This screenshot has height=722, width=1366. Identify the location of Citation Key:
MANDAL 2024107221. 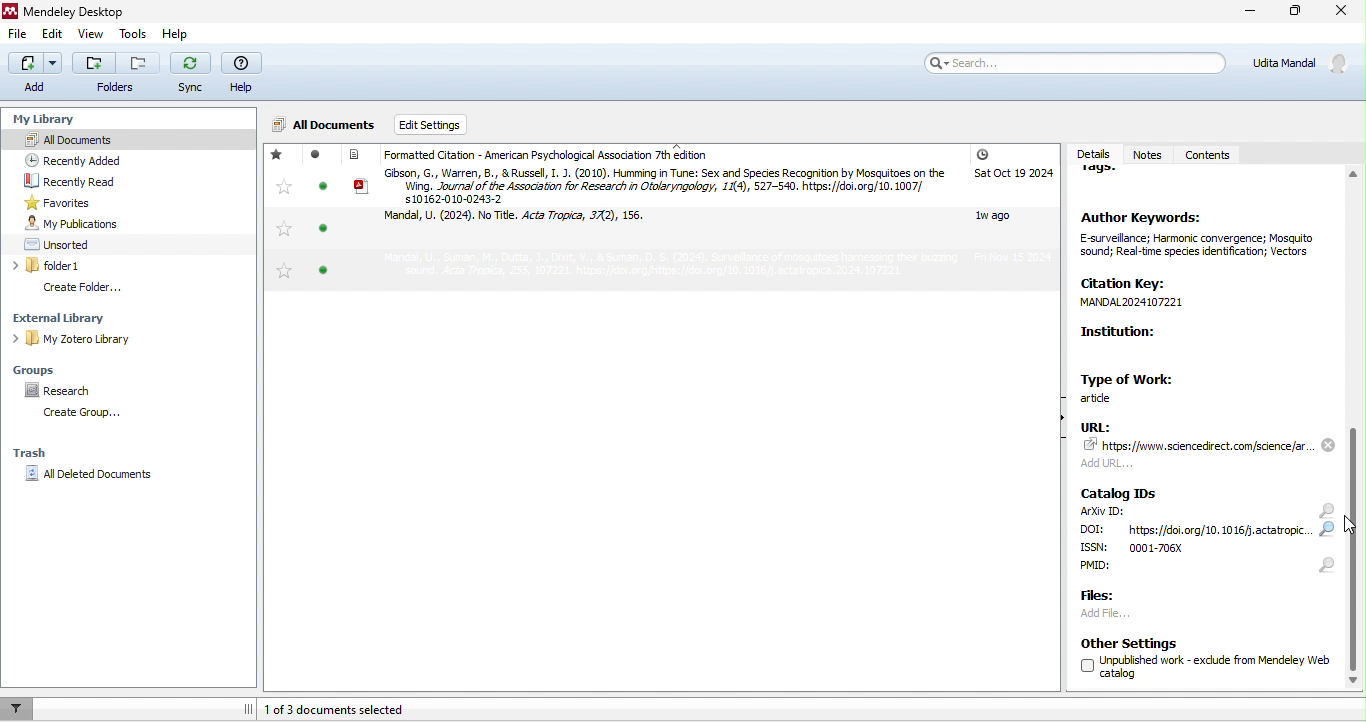
(1168, 294).